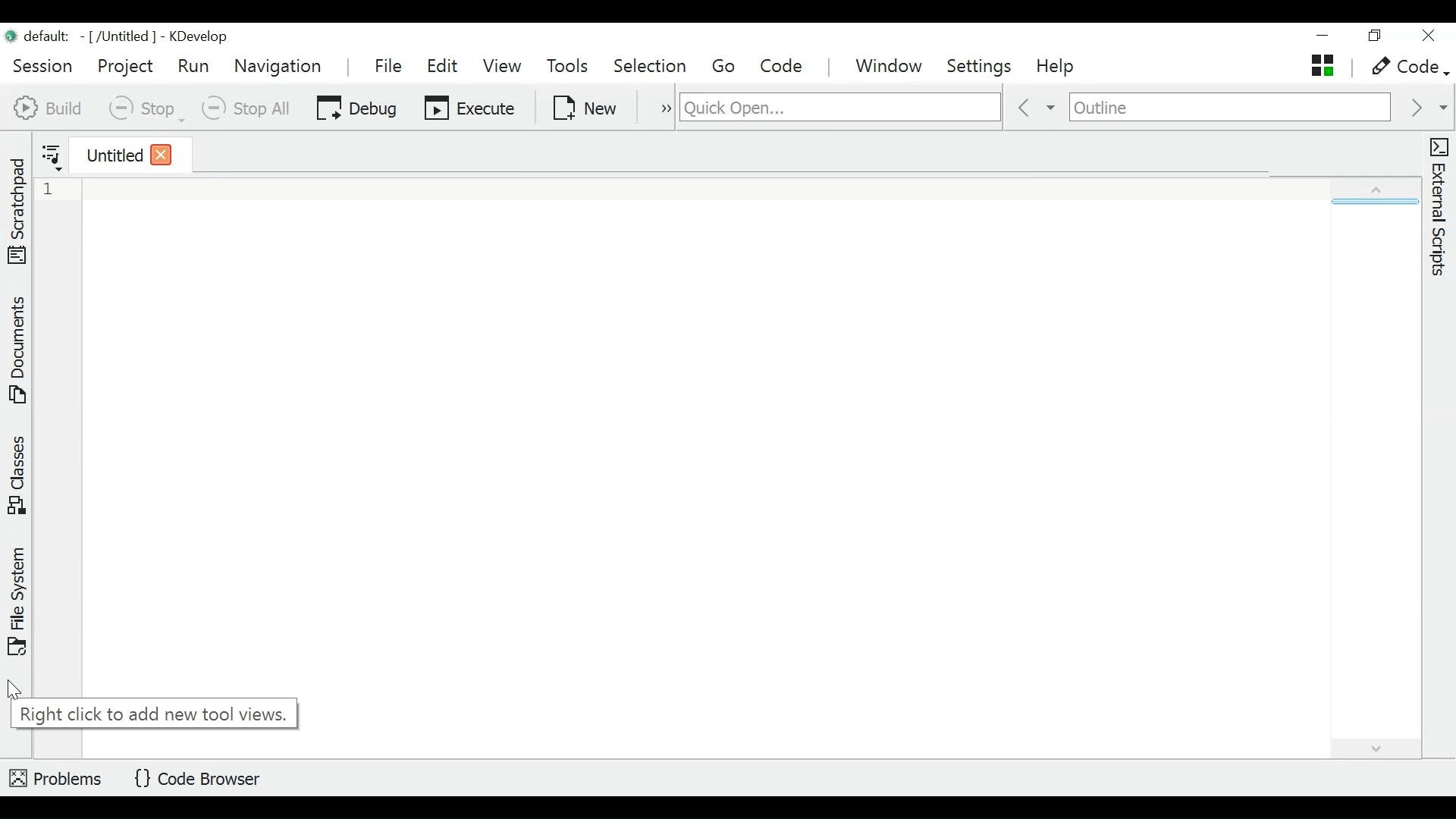 This screenshot has width=1456, height=819. Describe the element at coordinates (727, 66) in the screenshot. I see `Go` at that location.